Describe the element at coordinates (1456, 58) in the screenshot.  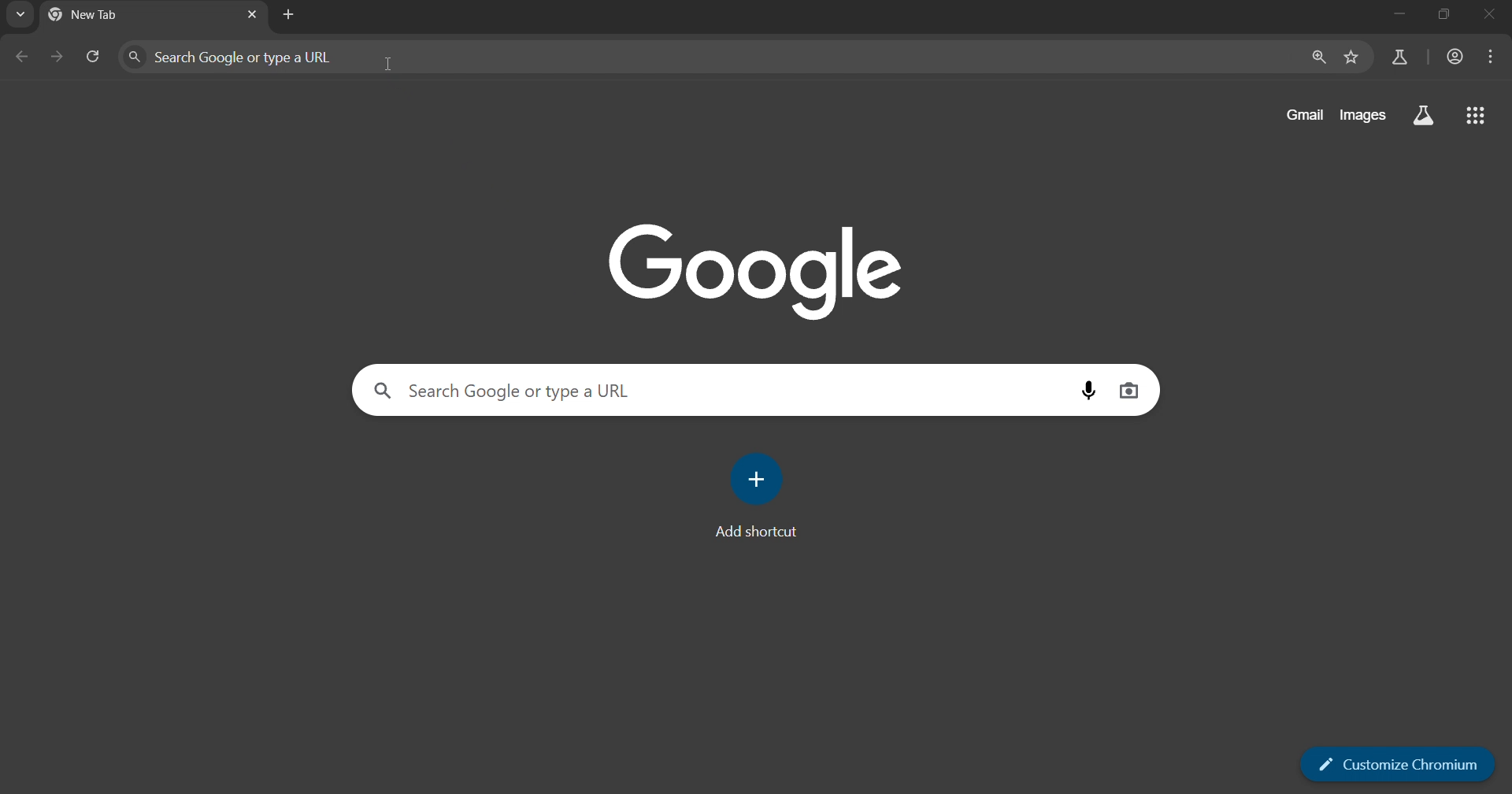
I see `account` at that location.